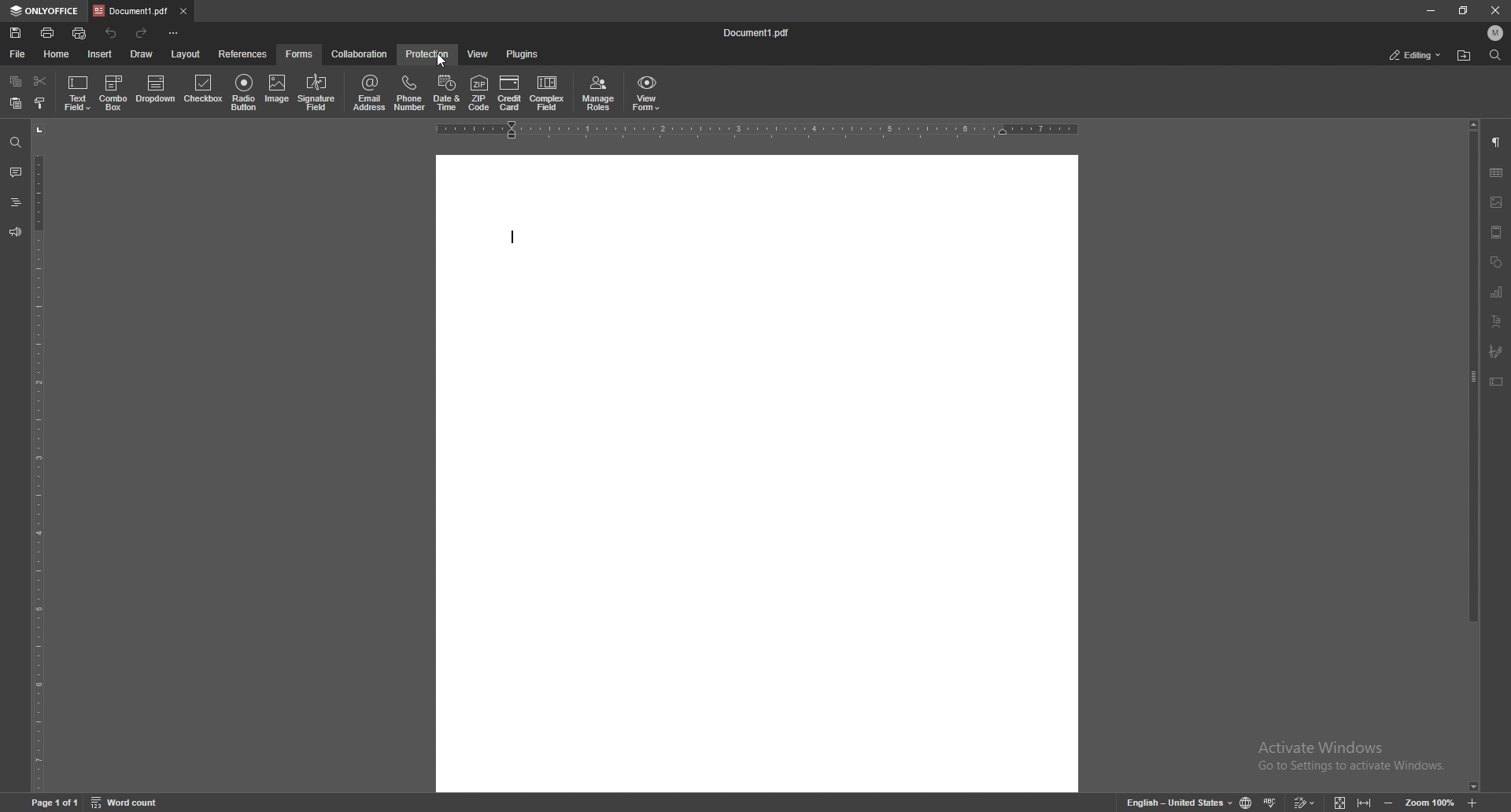  Describe the element at coordinates (38, 456) in the screenshot. I see `vertical scale` at that location.